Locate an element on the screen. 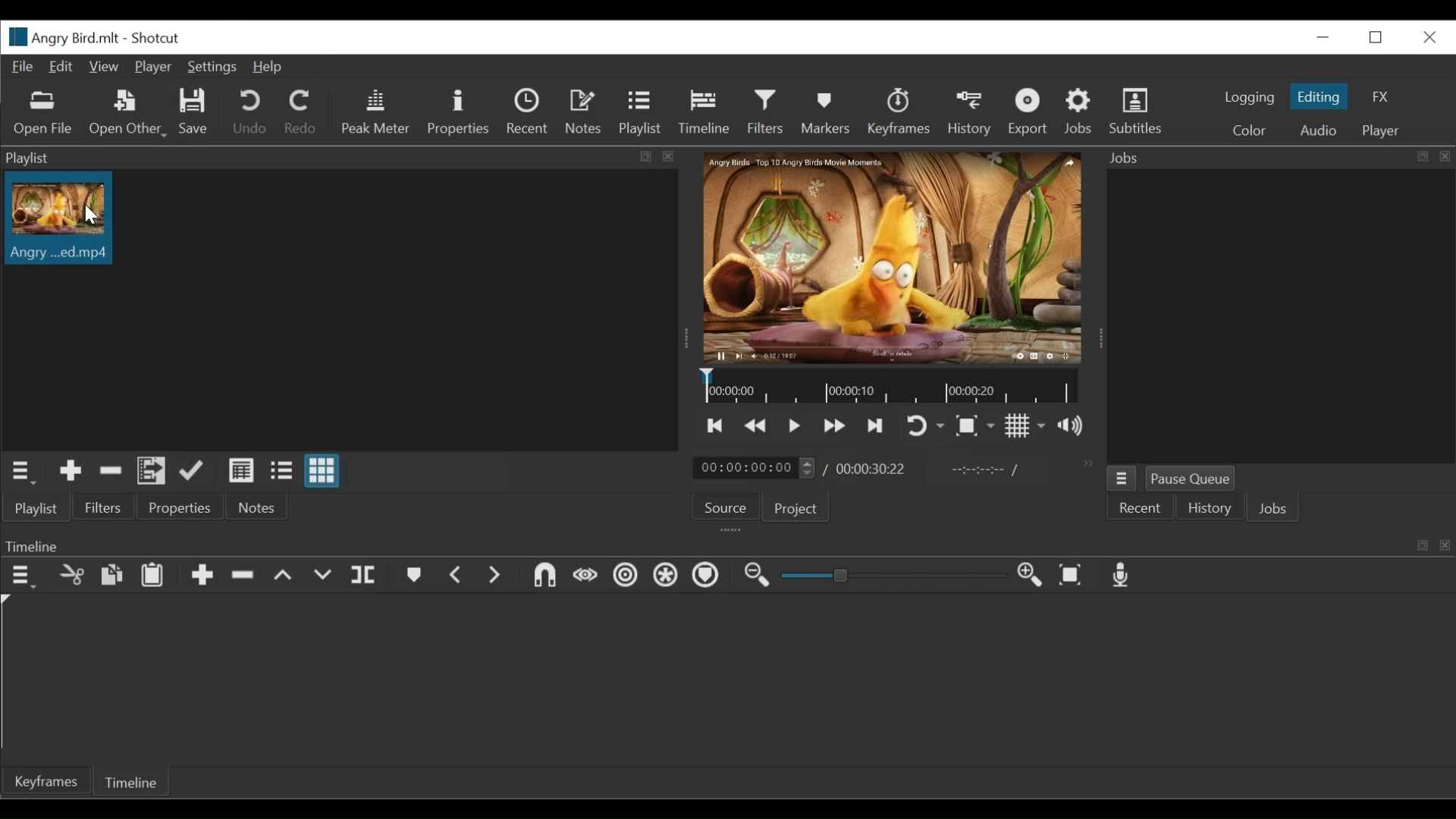  Export is located at coordinates (1030, 111).